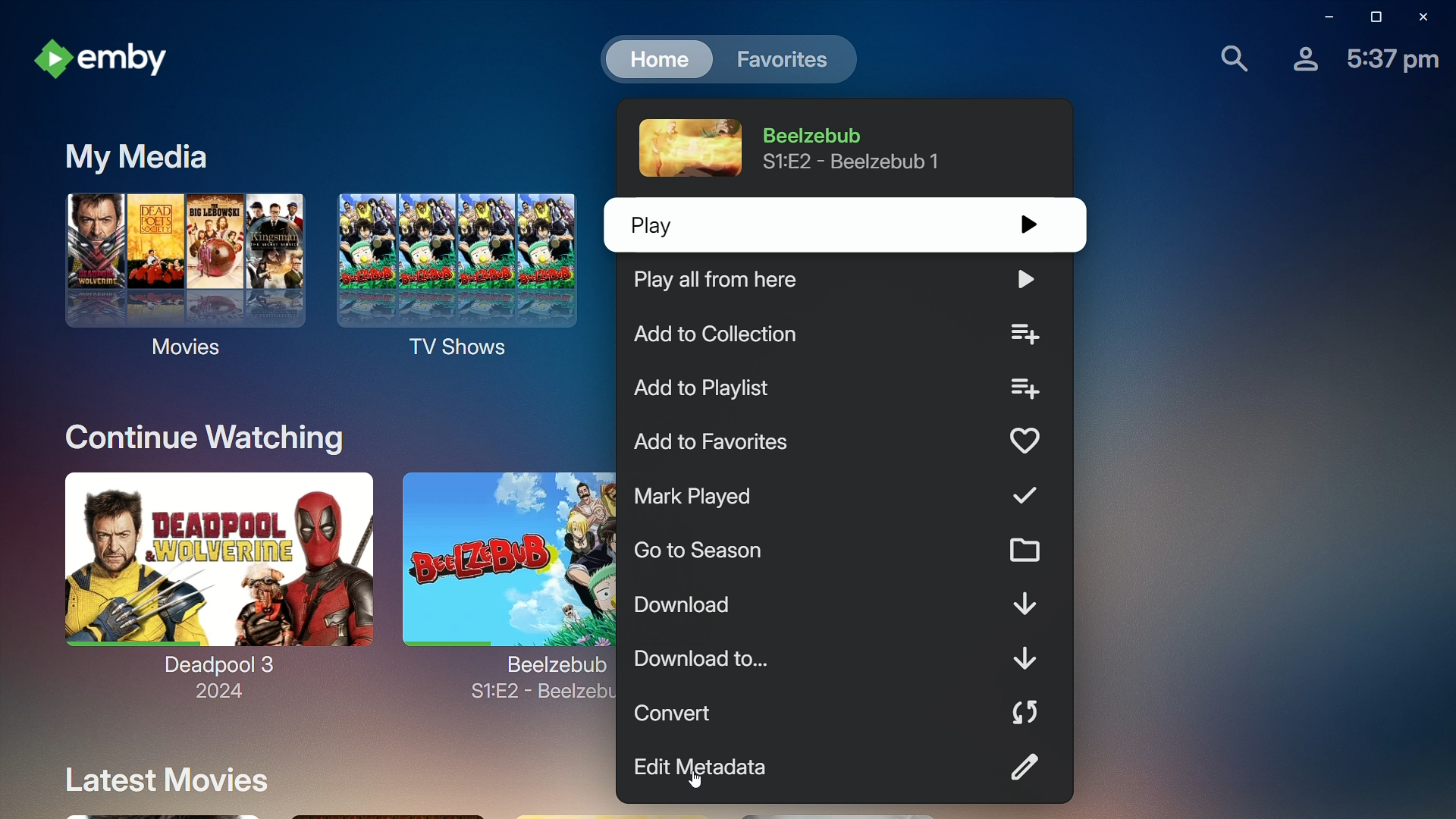 Image resolution: width=1456 pixels, height=819 pixels. What do you see at coordinates (842, 335) in the screenshot?
I see `Add to collection` at bounding box center [842, 335].